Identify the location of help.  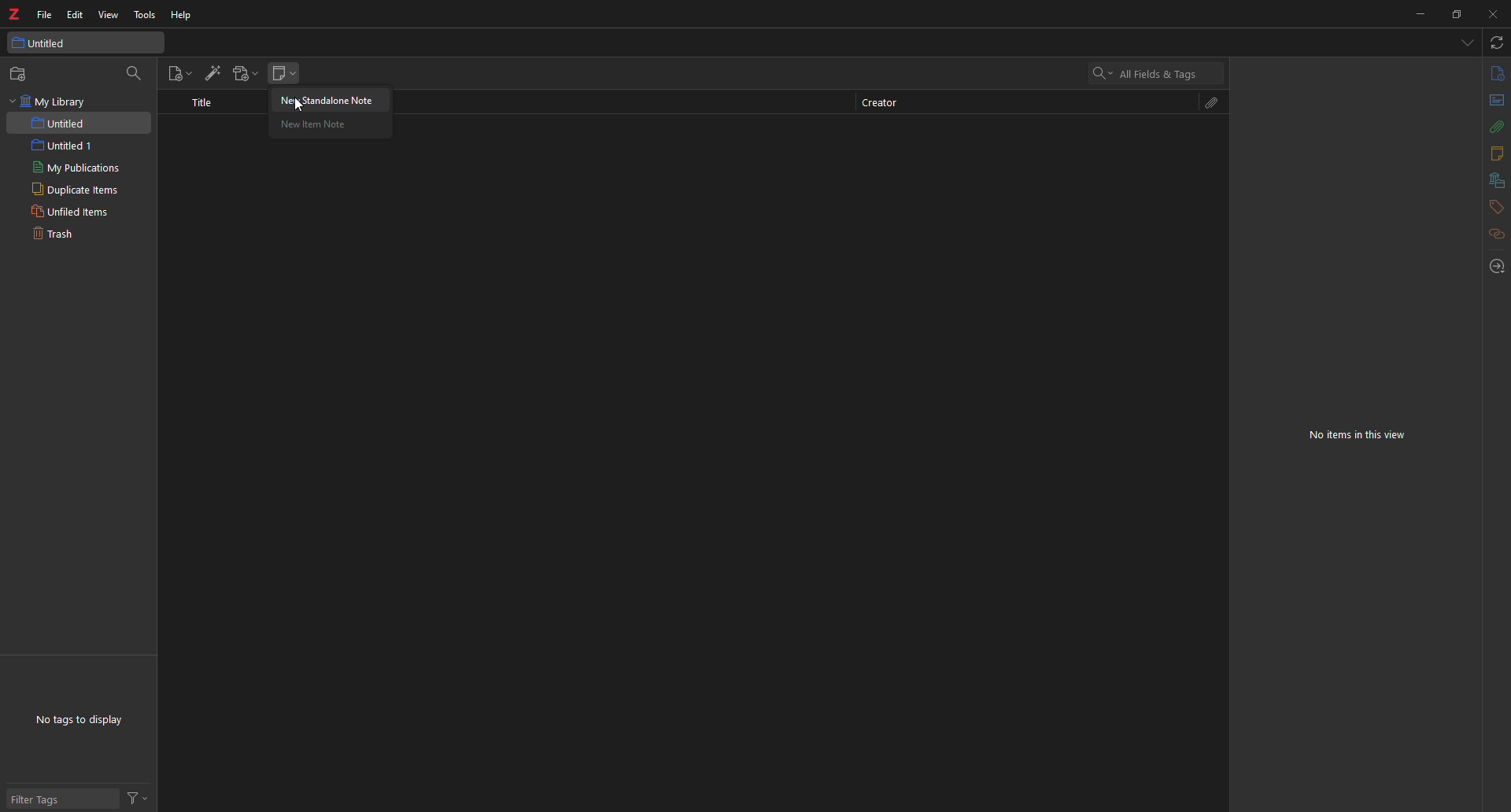
(187, 14).